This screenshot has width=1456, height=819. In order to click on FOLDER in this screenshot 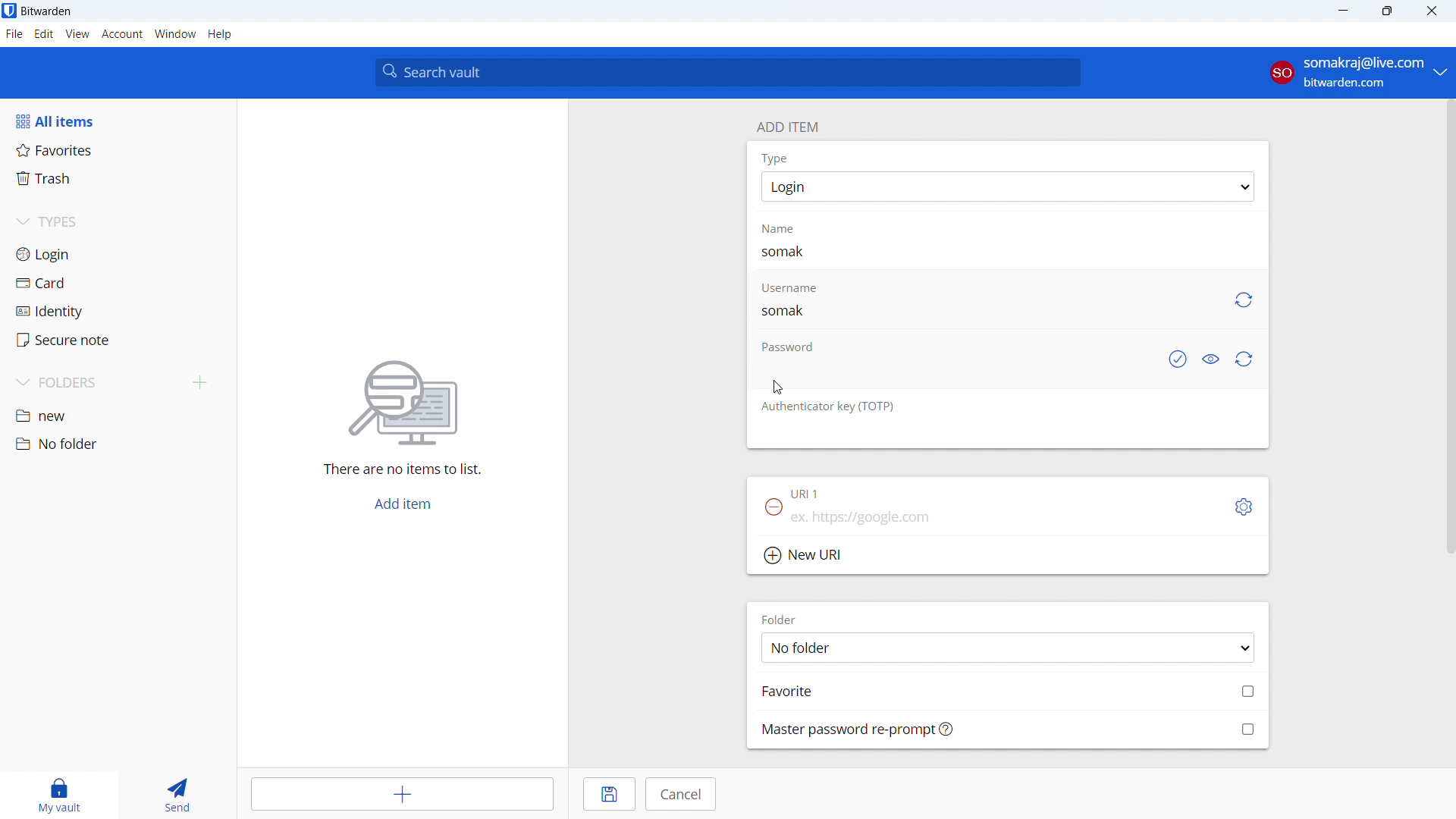, I will do `click(783, 619)`.